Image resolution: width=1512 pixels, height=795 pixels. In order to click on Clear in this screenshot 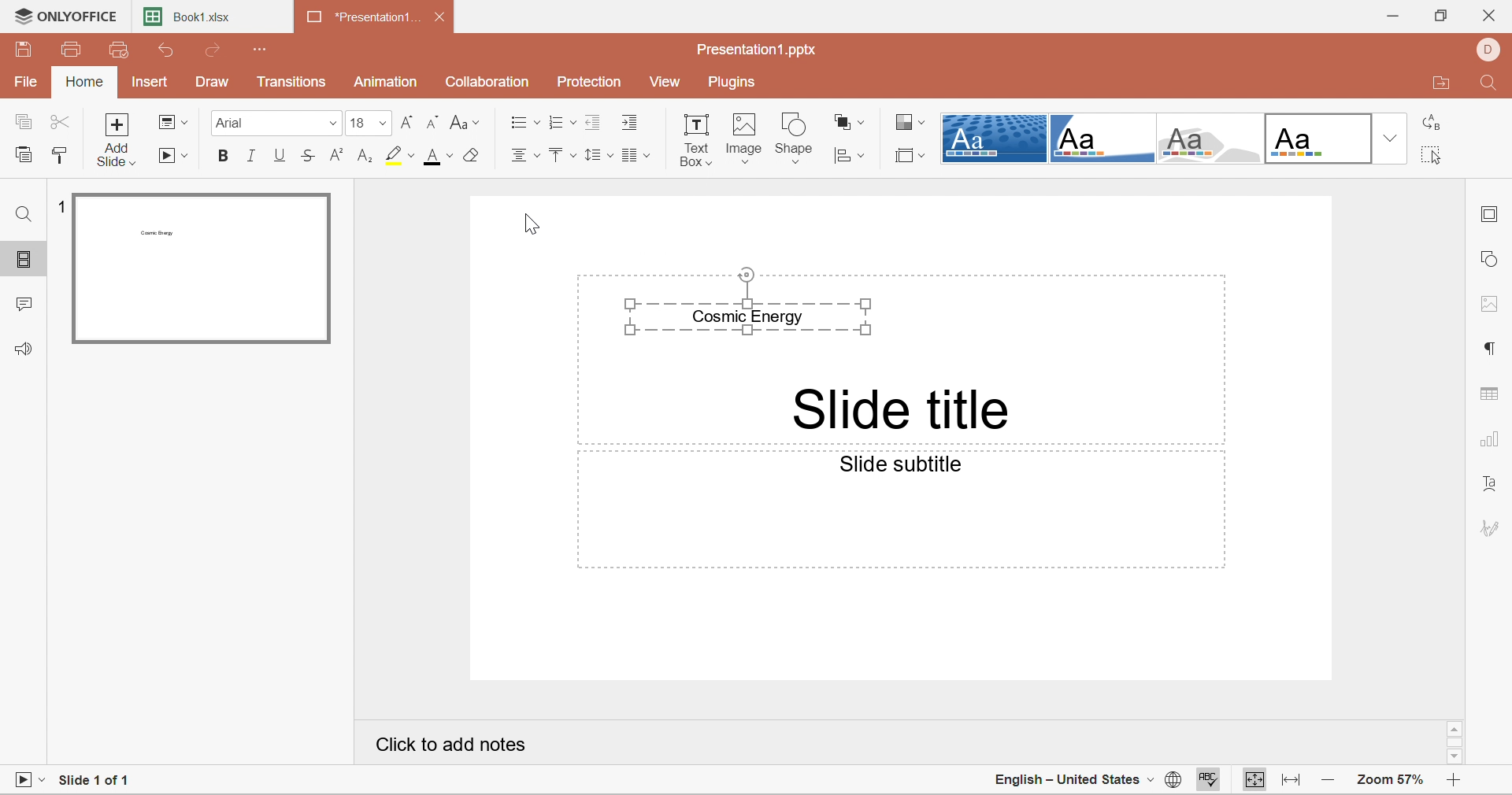, I will do `click(473, 156)`.